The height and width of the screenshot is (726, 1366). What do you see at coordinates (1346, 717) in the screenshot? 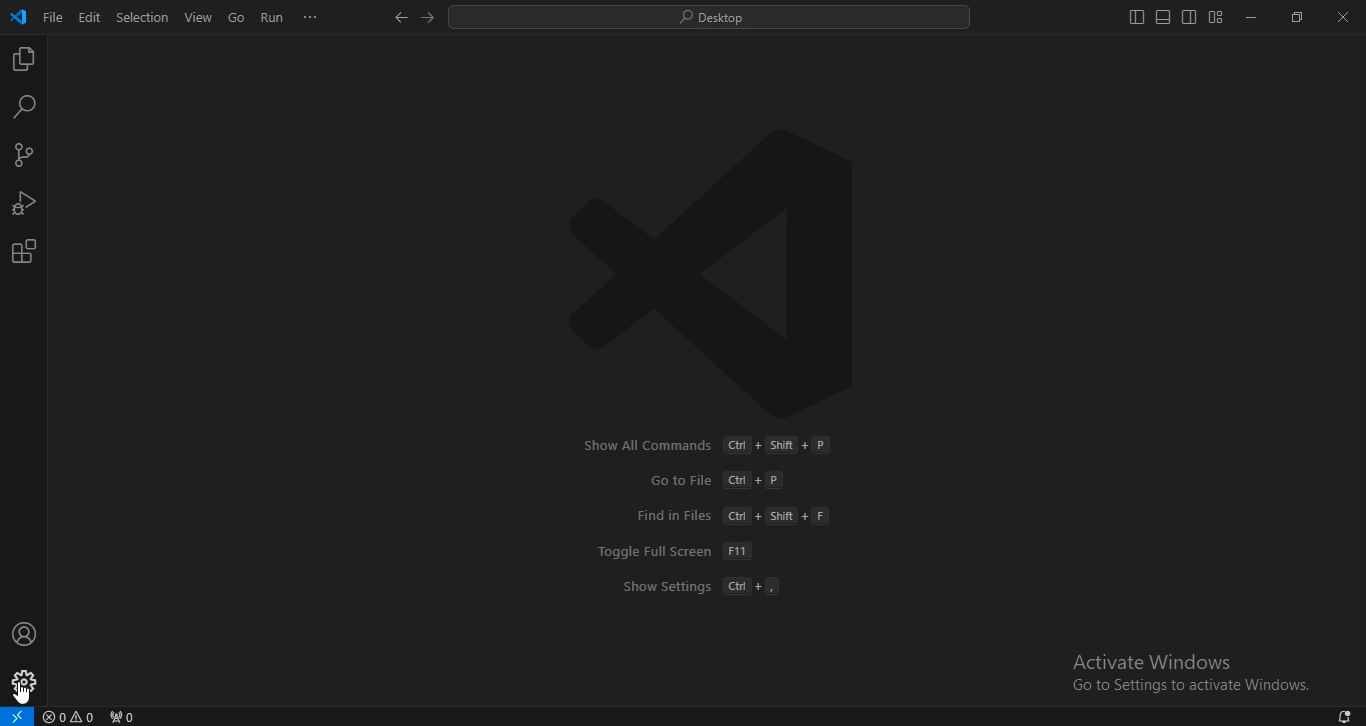
I see `notifications` at bounding box center [1346, 717].